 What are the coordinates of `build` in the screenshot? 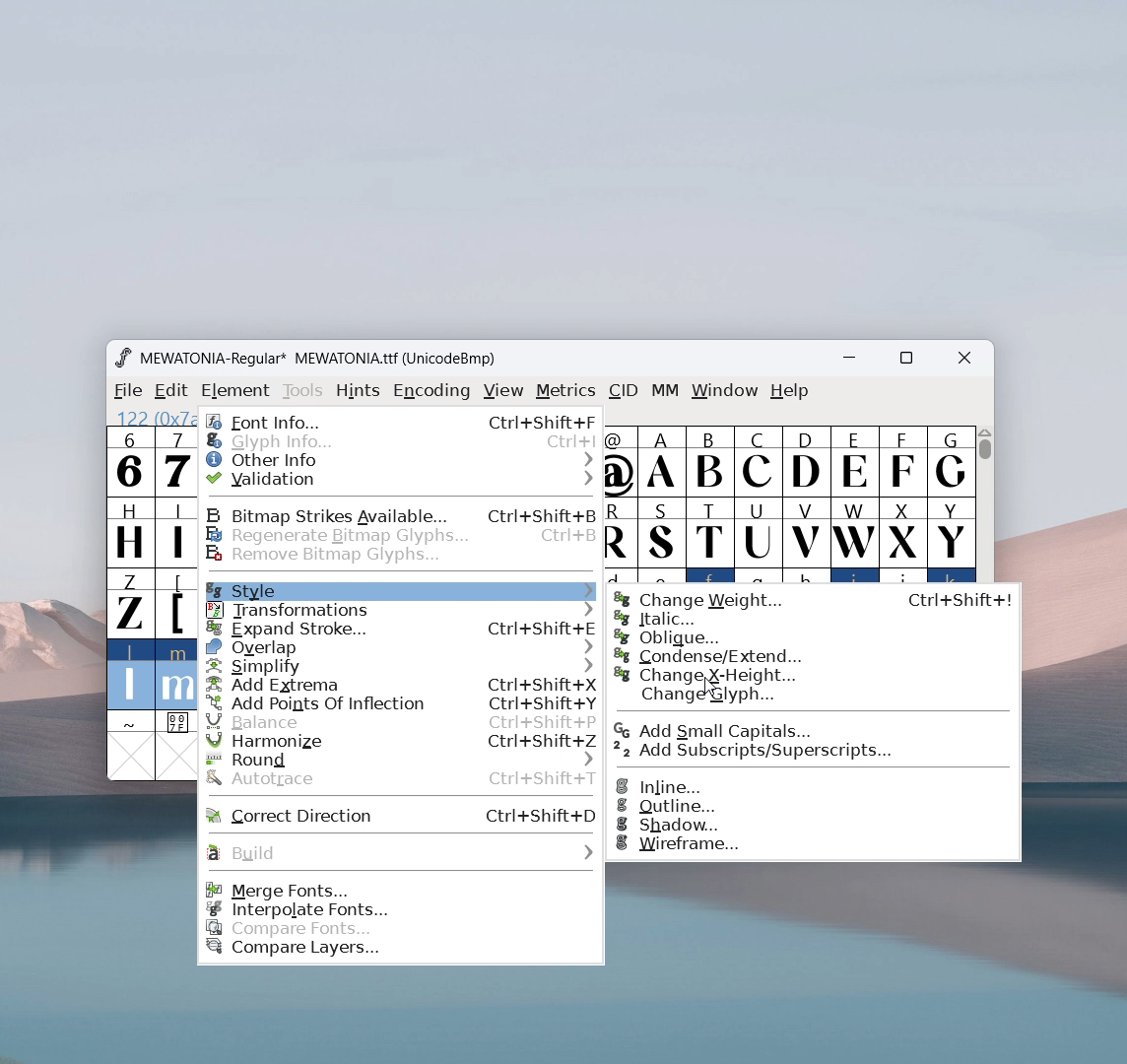 It's located at (400, 852).